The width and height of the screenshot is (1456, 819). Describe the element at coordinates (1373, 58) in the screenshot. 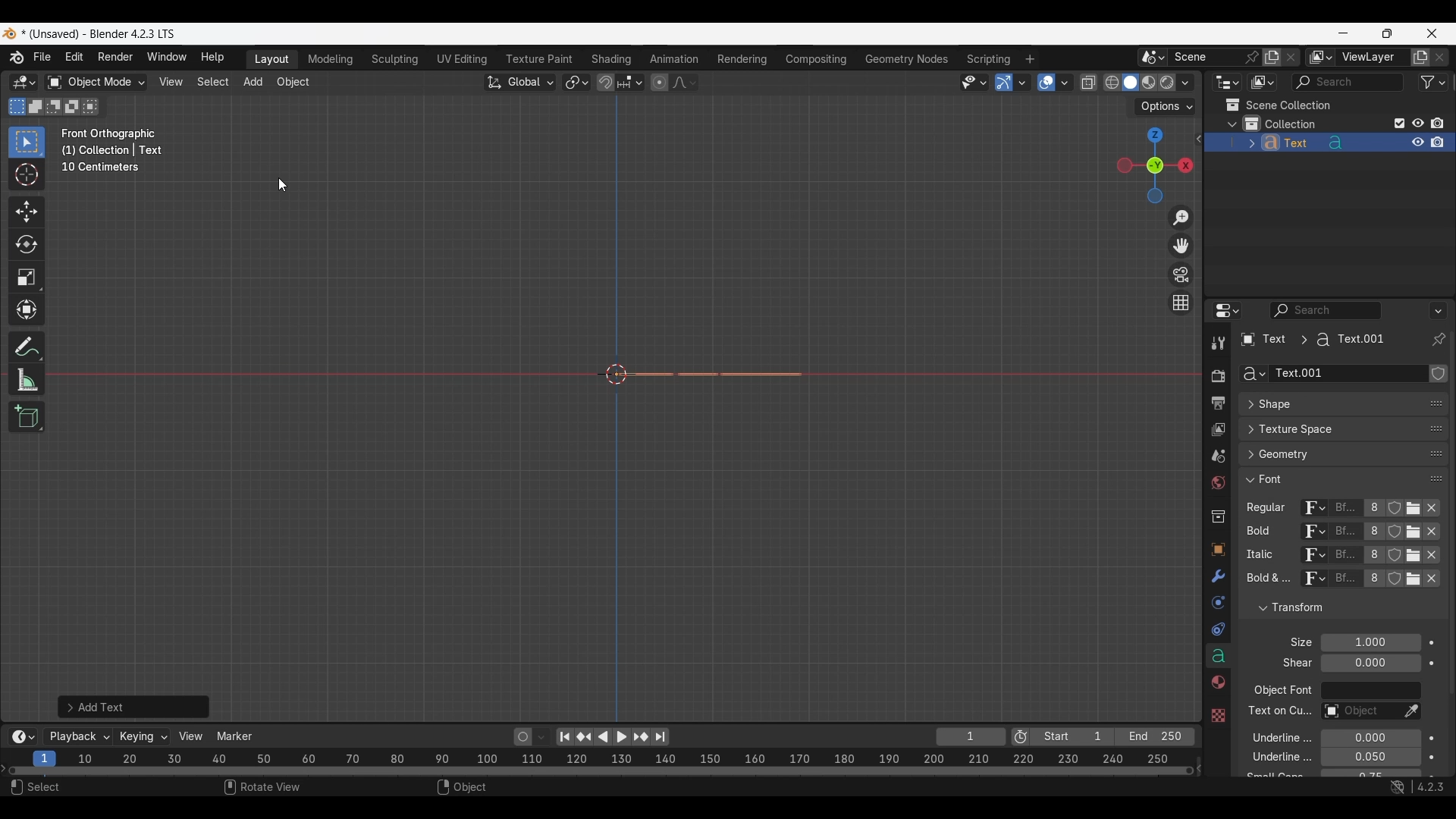

I see `Name view layer` at that location.